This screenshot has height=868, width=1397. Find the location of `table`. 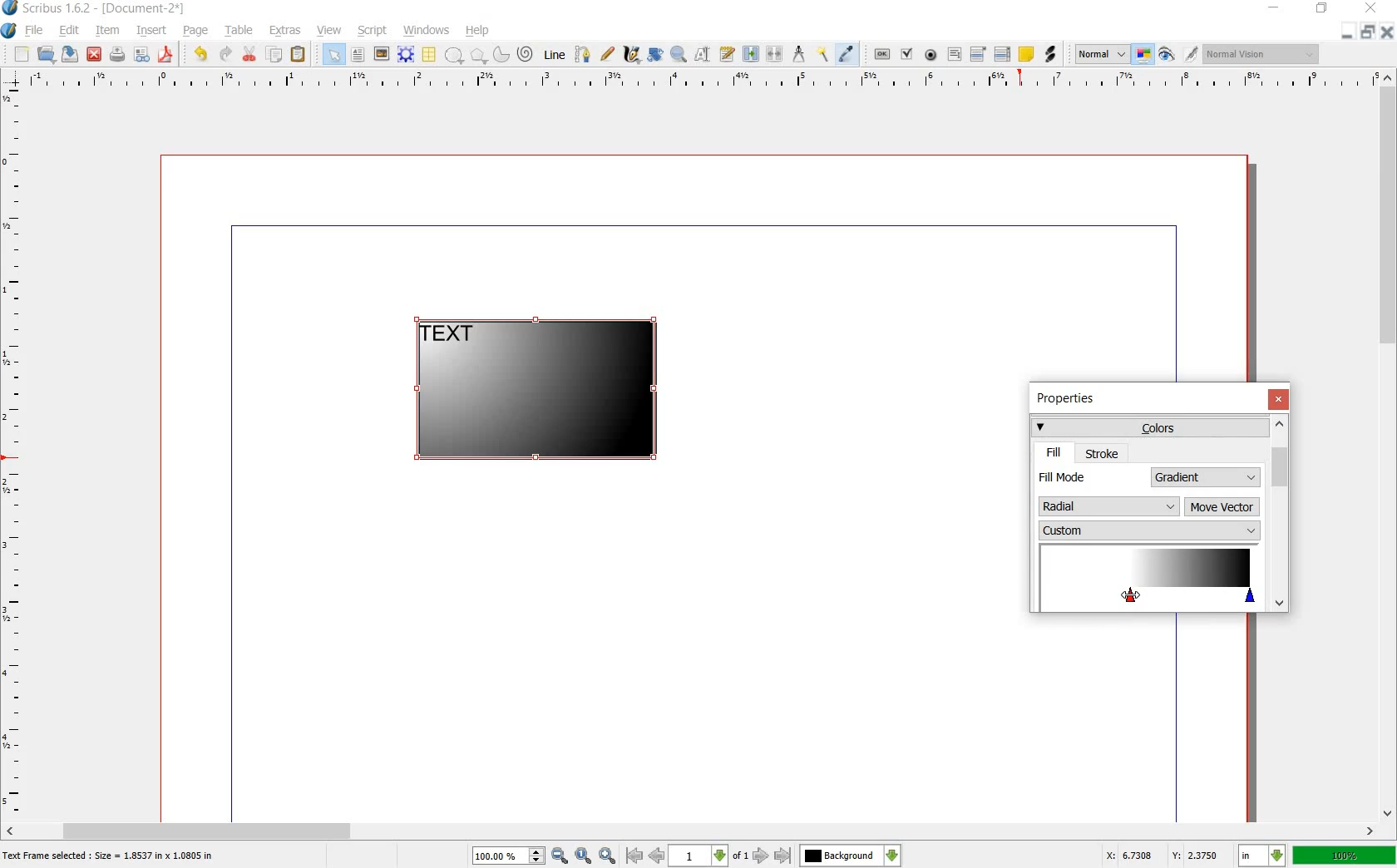

table is located at coordinates (240, 32).